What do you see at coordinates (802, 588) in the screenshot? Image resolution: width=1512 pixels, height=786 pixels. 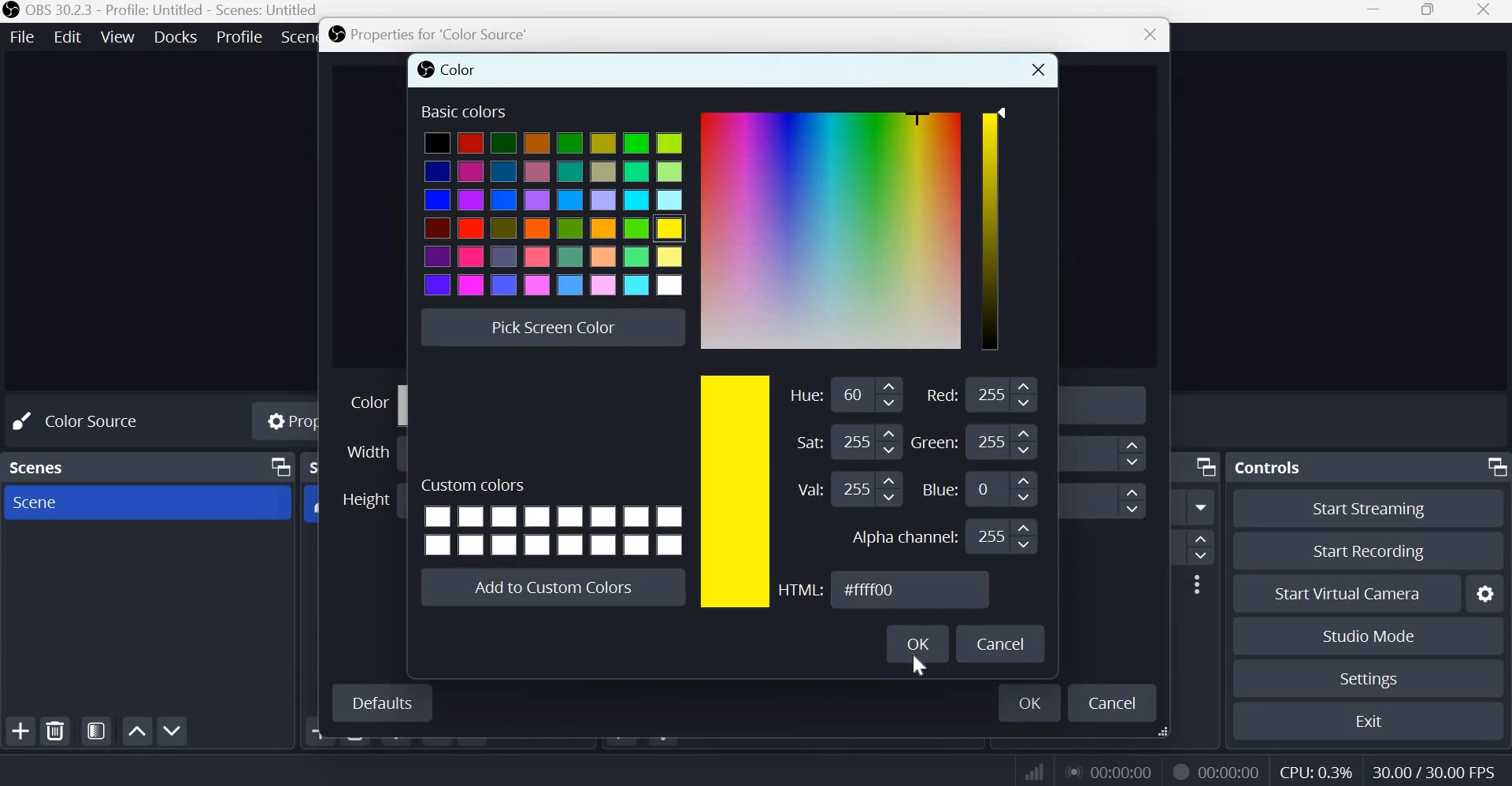 I see `HTML: ` at bounding box center [802, 588].